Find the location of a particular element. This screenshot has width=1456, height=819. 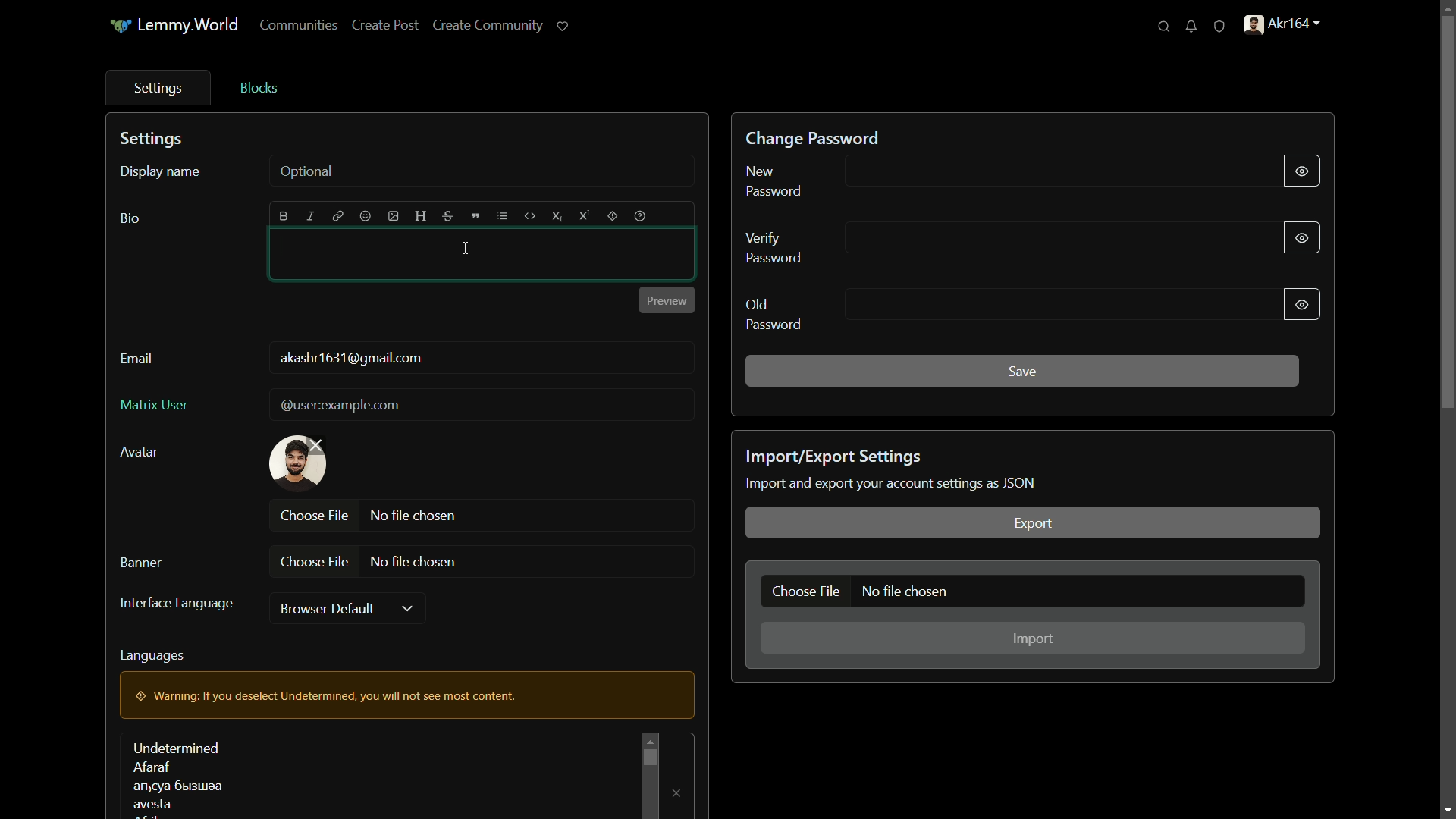

banner is located at coordinates (140, 563).